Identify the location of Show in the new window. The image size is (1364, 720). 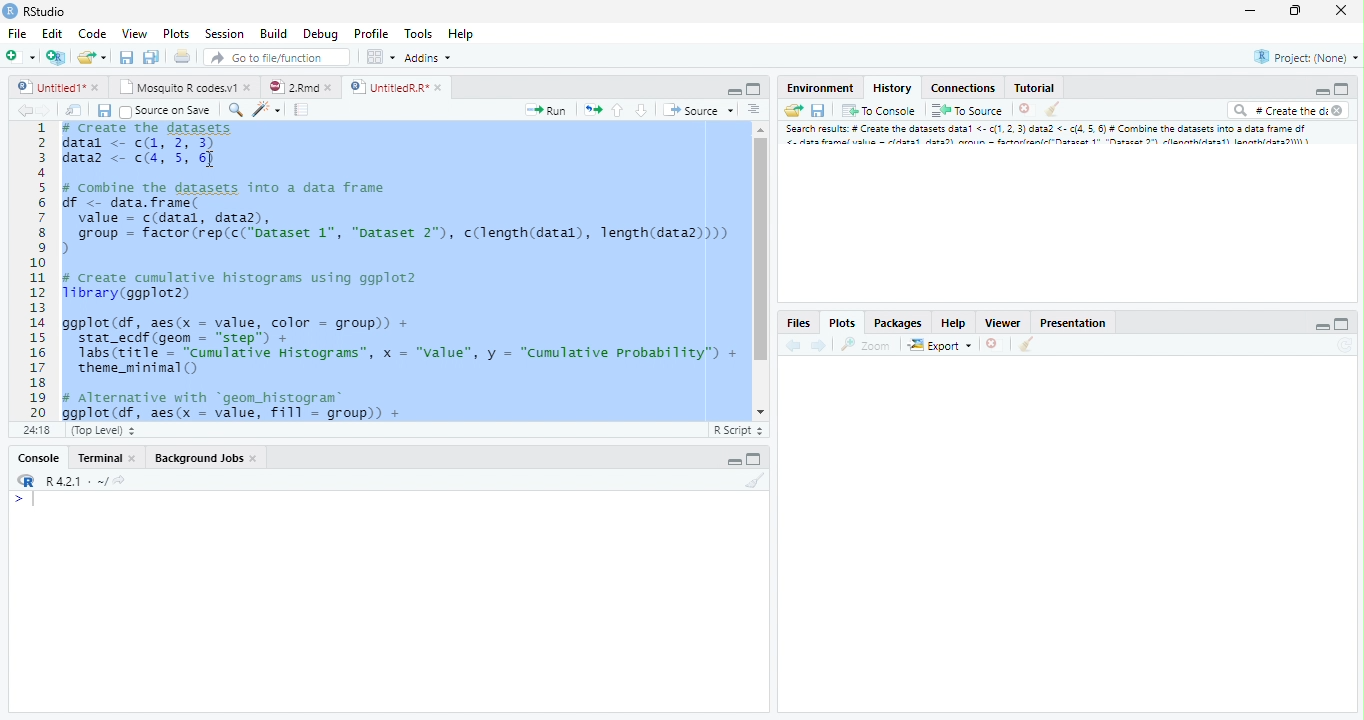
(72, 110).